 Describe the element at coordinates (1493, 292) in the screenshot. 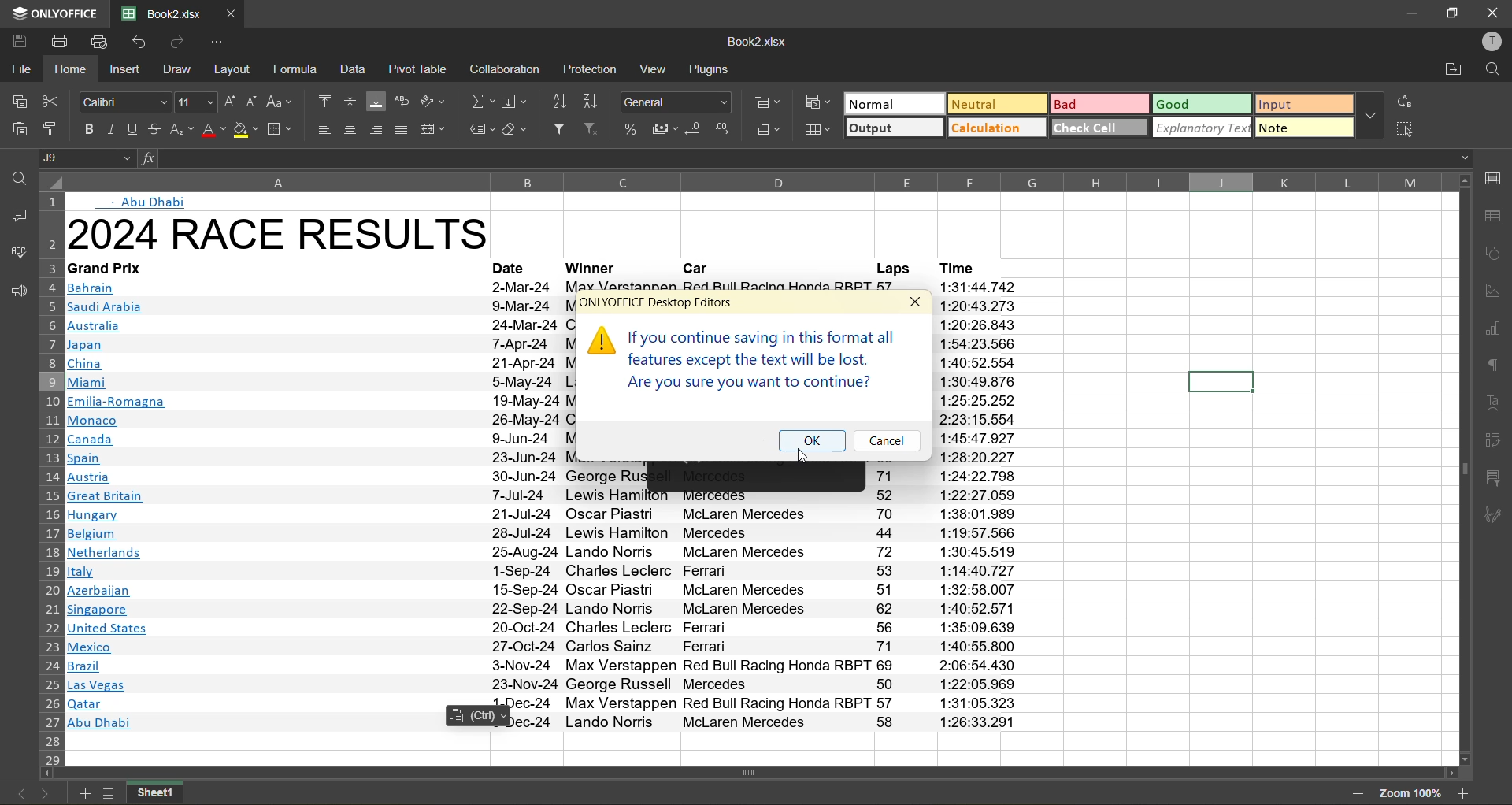

I see `images` at that location.